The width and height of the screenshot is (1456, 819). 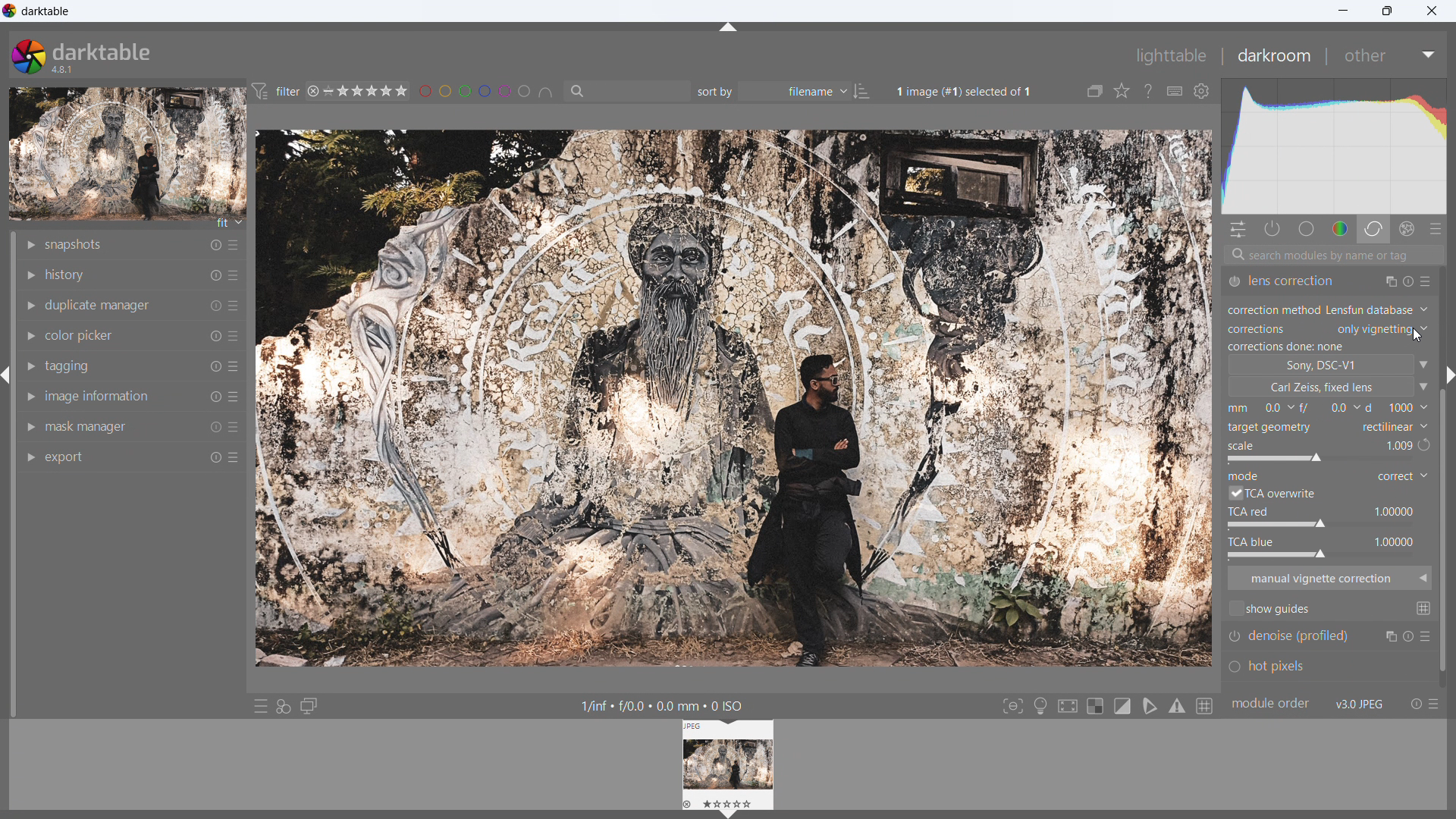 What do you see at coordinates (1341, 230) in the screenshot?
I see `color` at bounding box center [1341, 230].